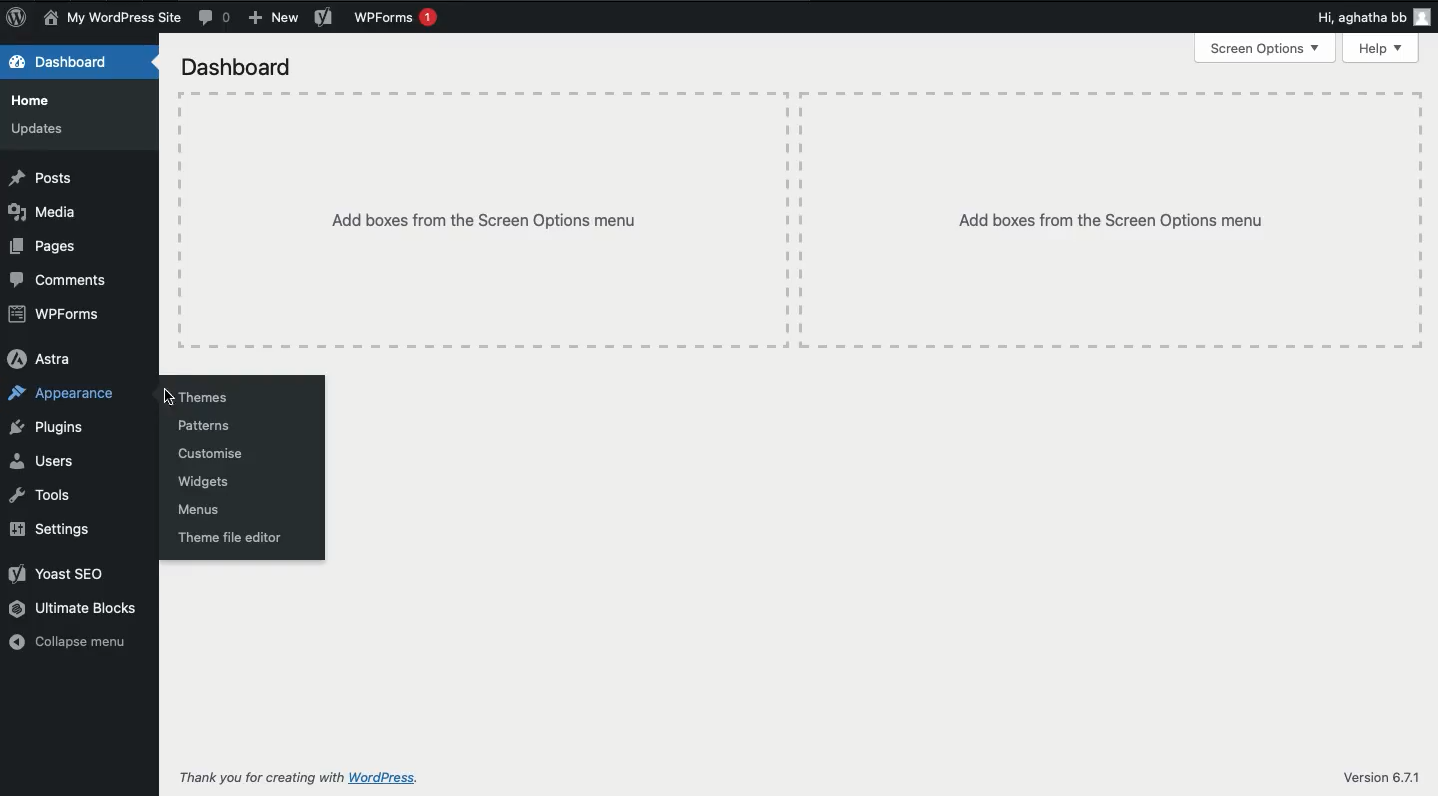 This screenshot has height=796, width=1438. Describe the element at coordinates (58, 573) in the screenshot. I see `Yoast SEO` at that location.